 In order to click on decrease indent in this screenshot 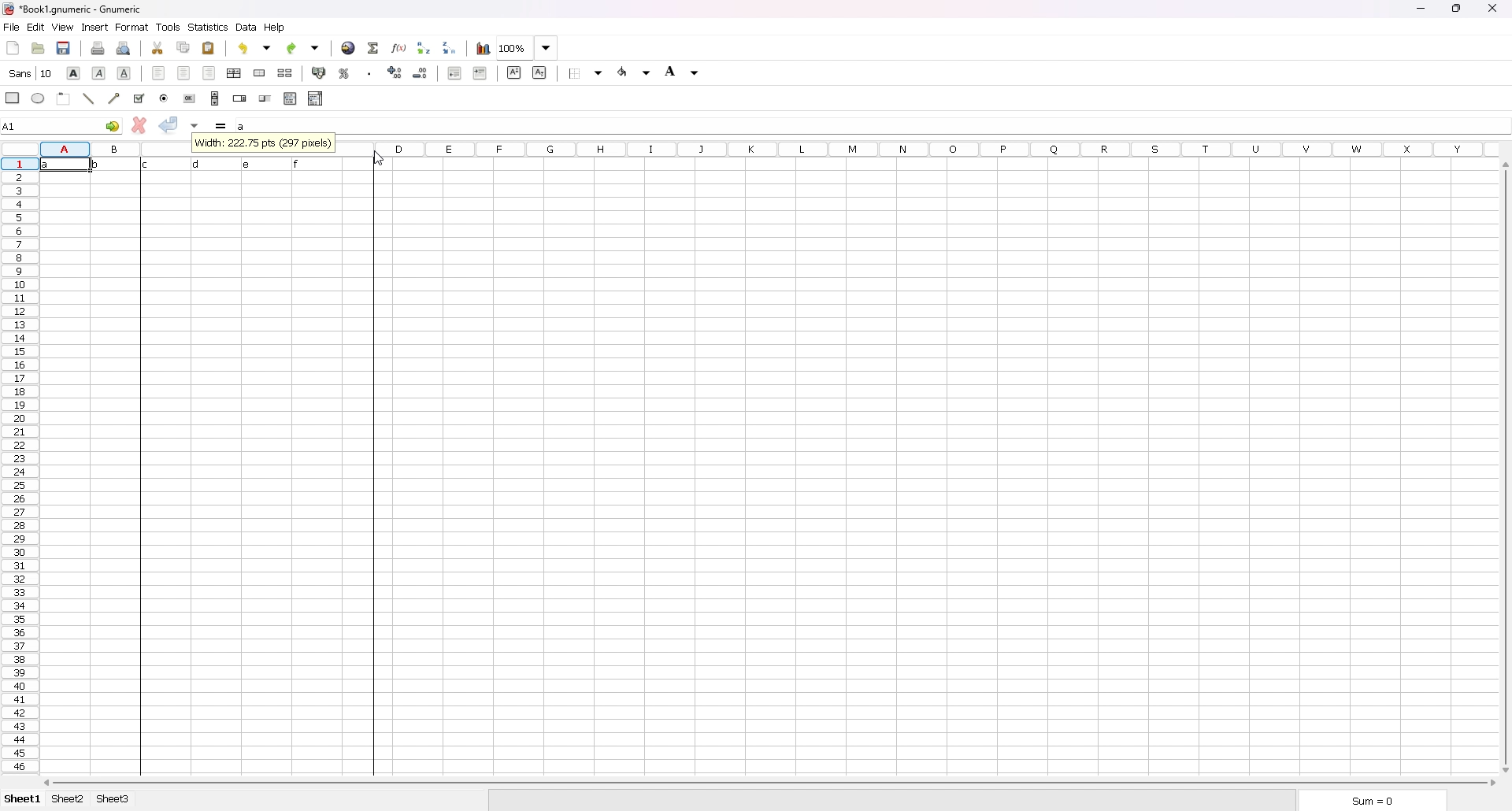, I will do `click(455, 72)`.